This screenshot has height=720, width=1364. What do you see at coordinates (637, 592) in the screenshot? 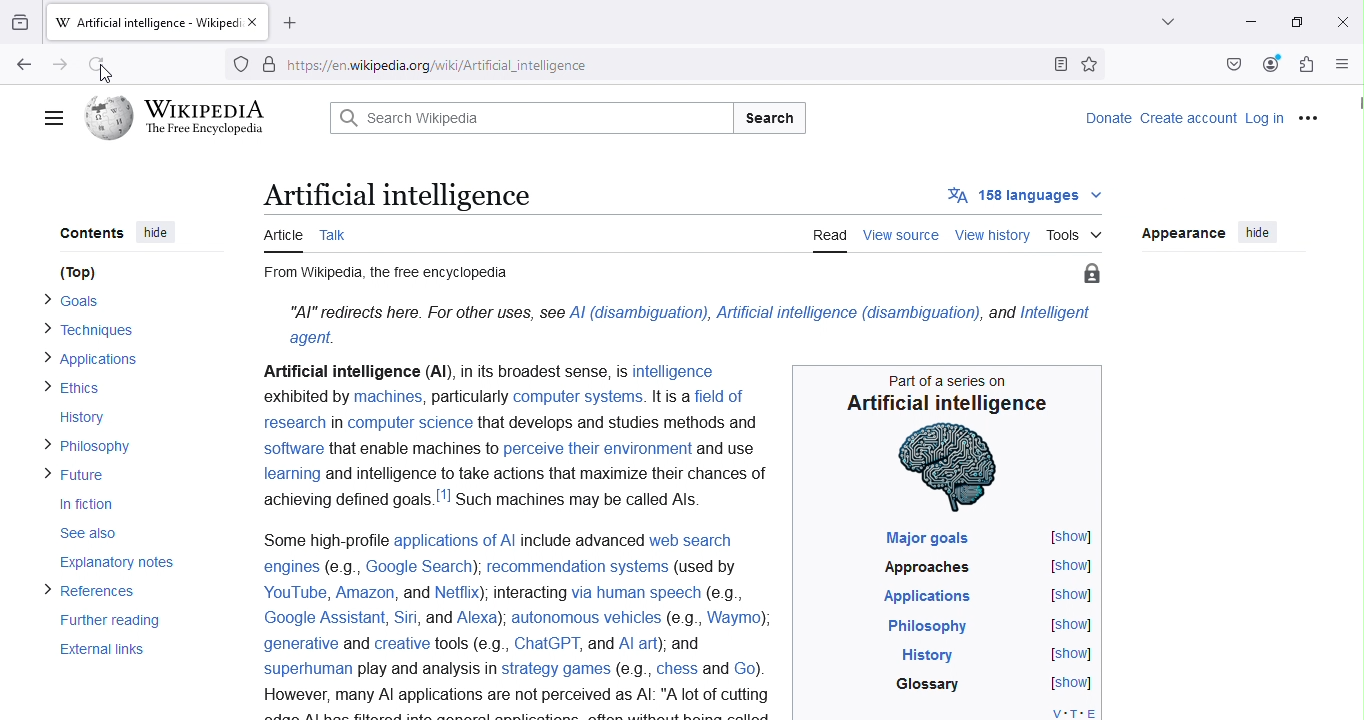
I see `via human speech` at bounding box center [637, 592].